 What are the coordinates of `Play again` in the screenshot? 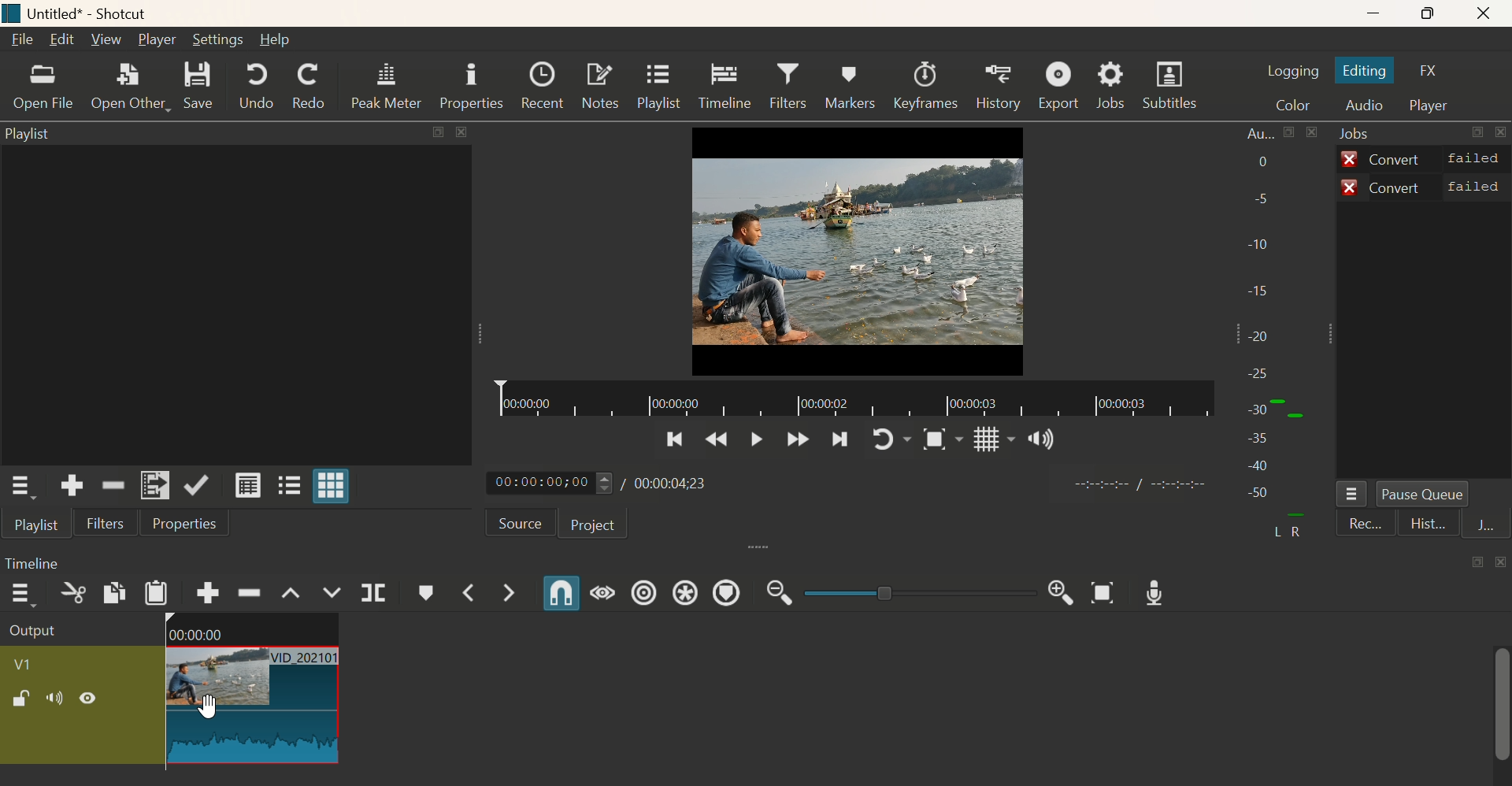 It's located at (893, 439).